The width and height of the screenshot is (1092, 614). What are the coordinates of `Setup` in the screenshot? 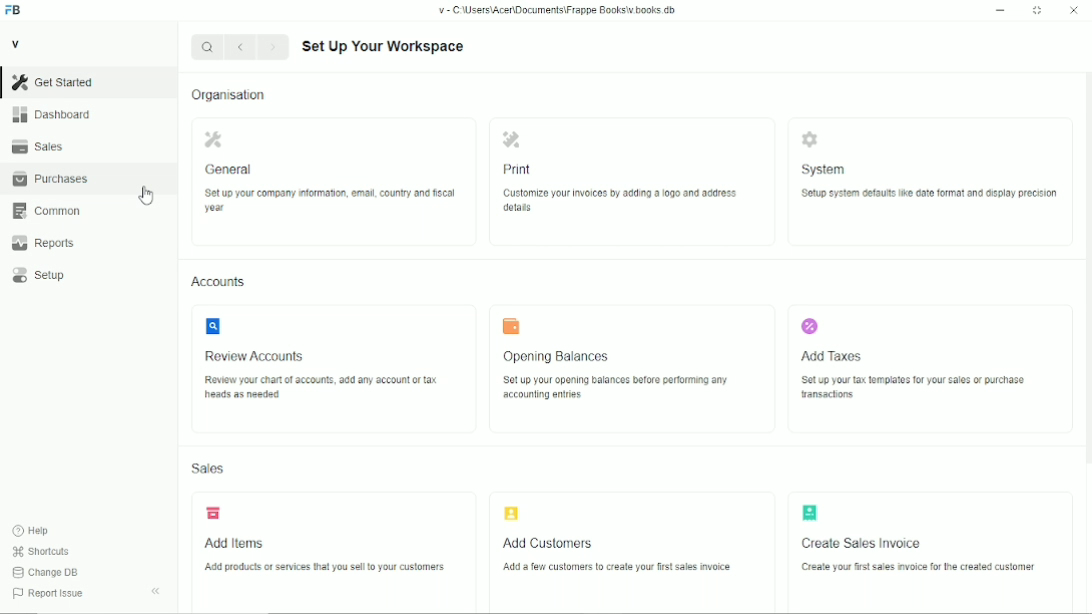 It's located at (51, 278).